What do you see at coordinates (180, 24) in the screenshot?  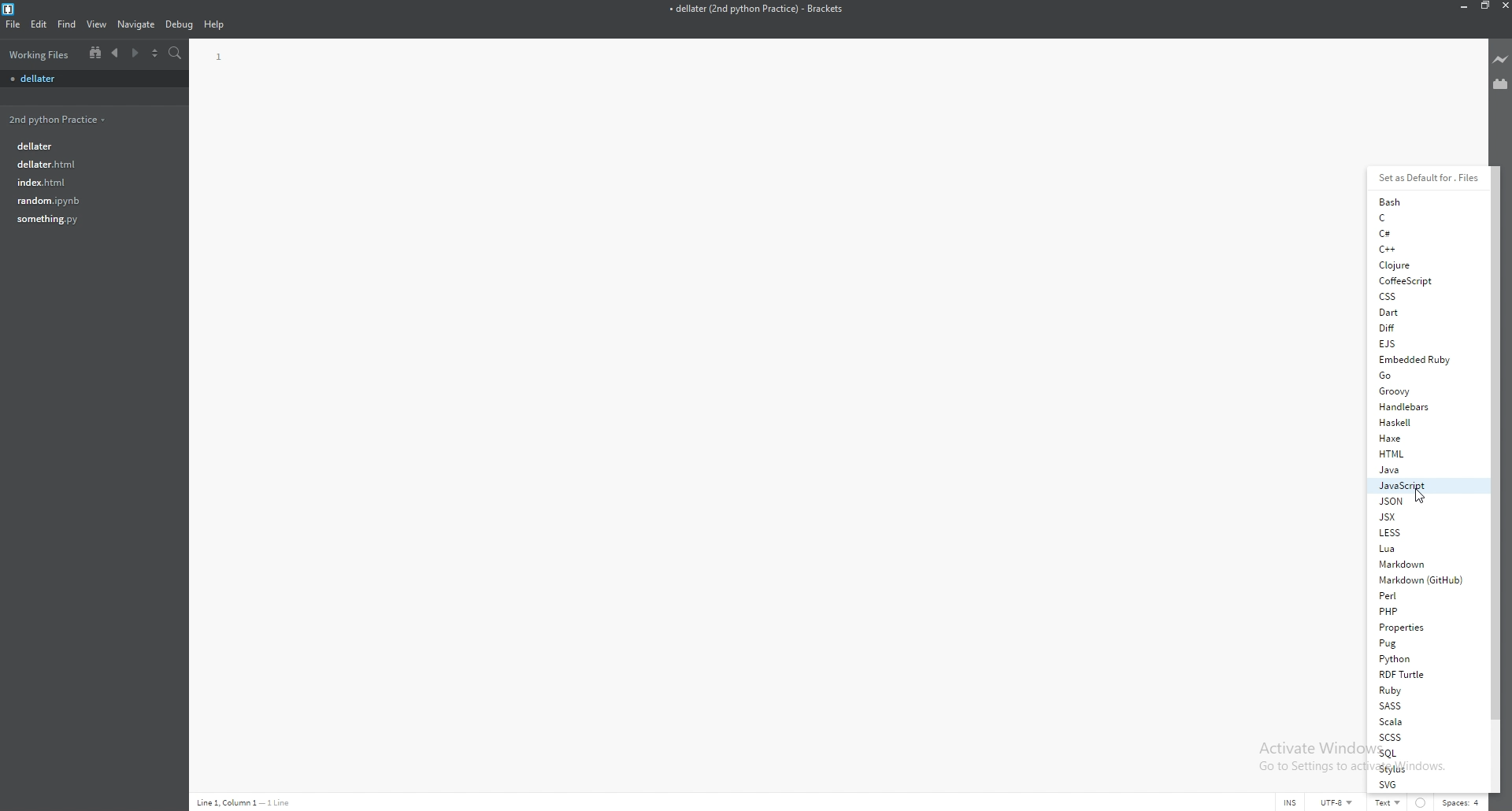 I see `debug` at bounding box center [180, 24].